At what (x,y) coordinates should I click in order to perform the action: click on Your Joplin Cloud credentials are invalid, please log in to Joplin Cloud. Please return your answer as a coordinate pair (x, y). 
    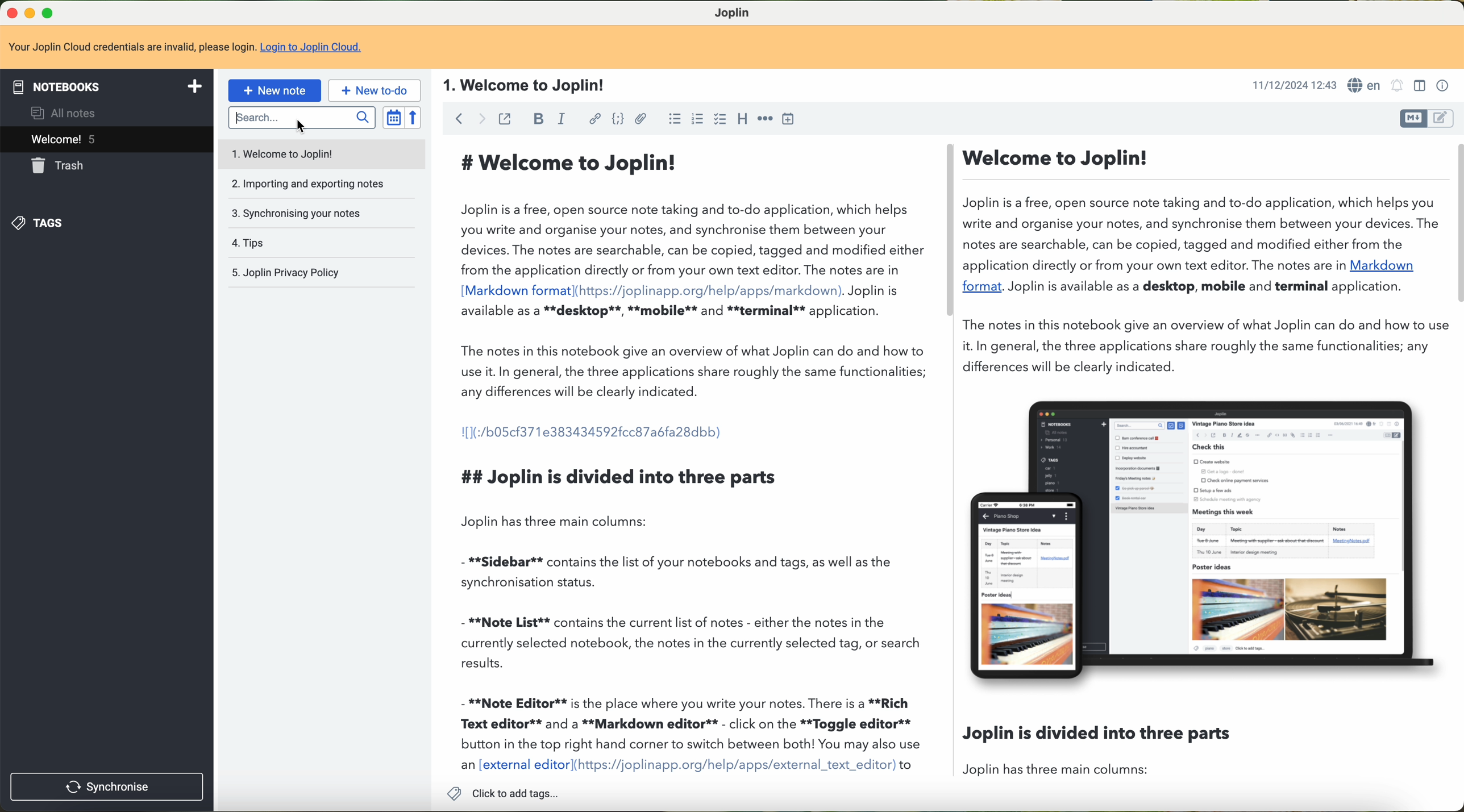
    Looking at the image, I should click on (732, 48).